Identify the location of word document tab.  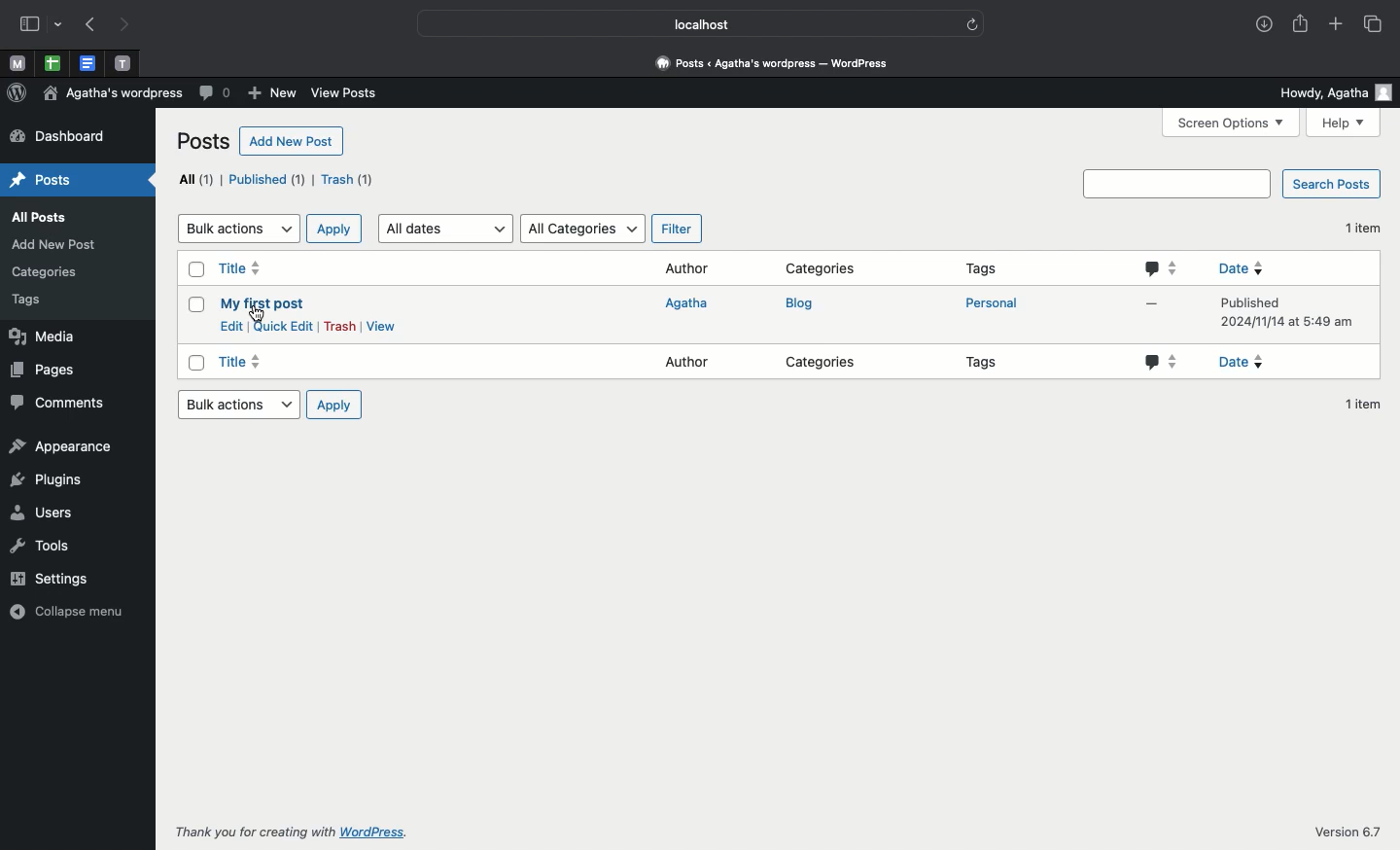
(85, 62).